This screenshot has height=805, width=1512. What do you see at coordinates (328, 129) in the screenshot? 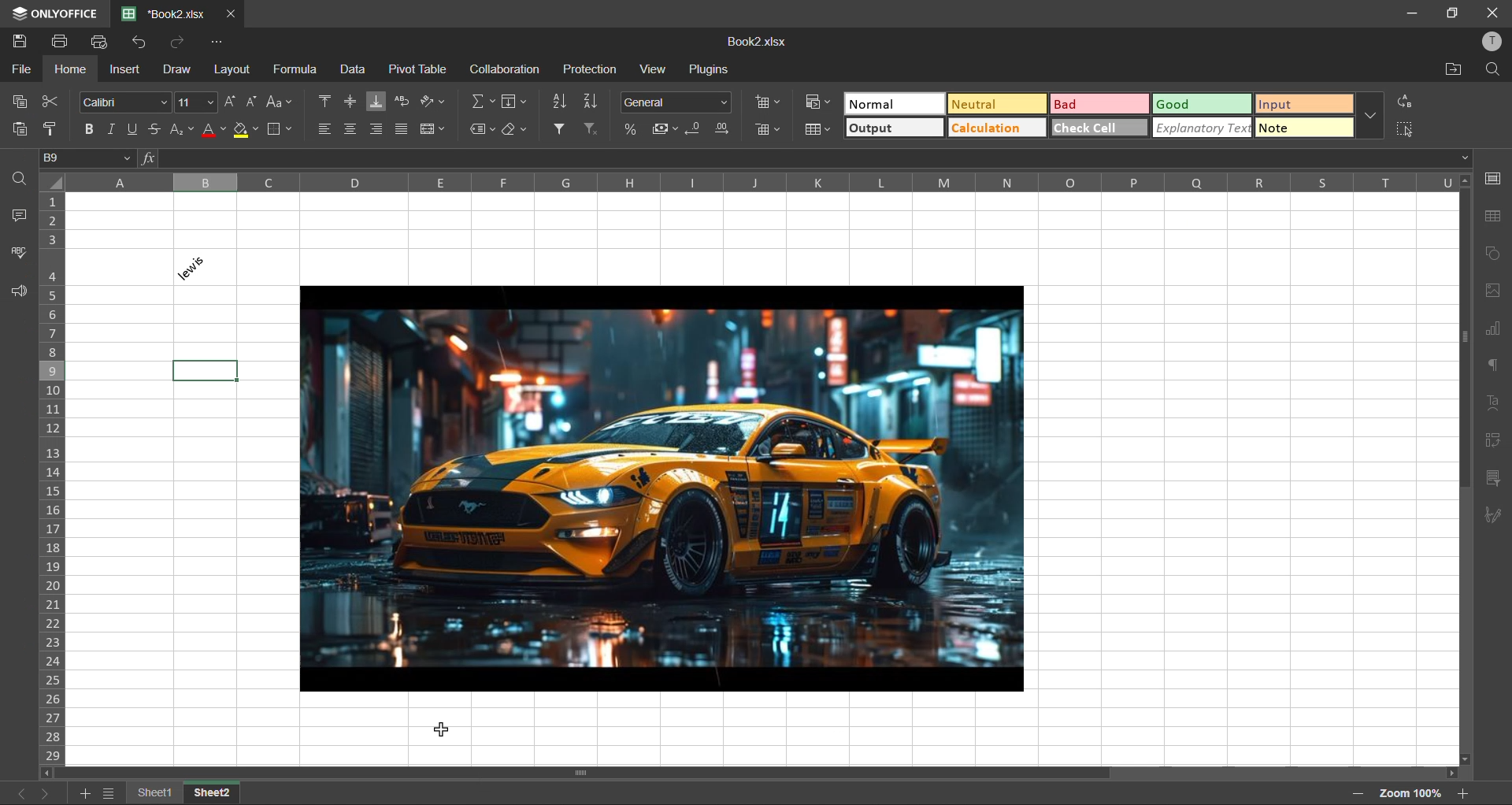
I see `align left` at bounding box center [328, 129].